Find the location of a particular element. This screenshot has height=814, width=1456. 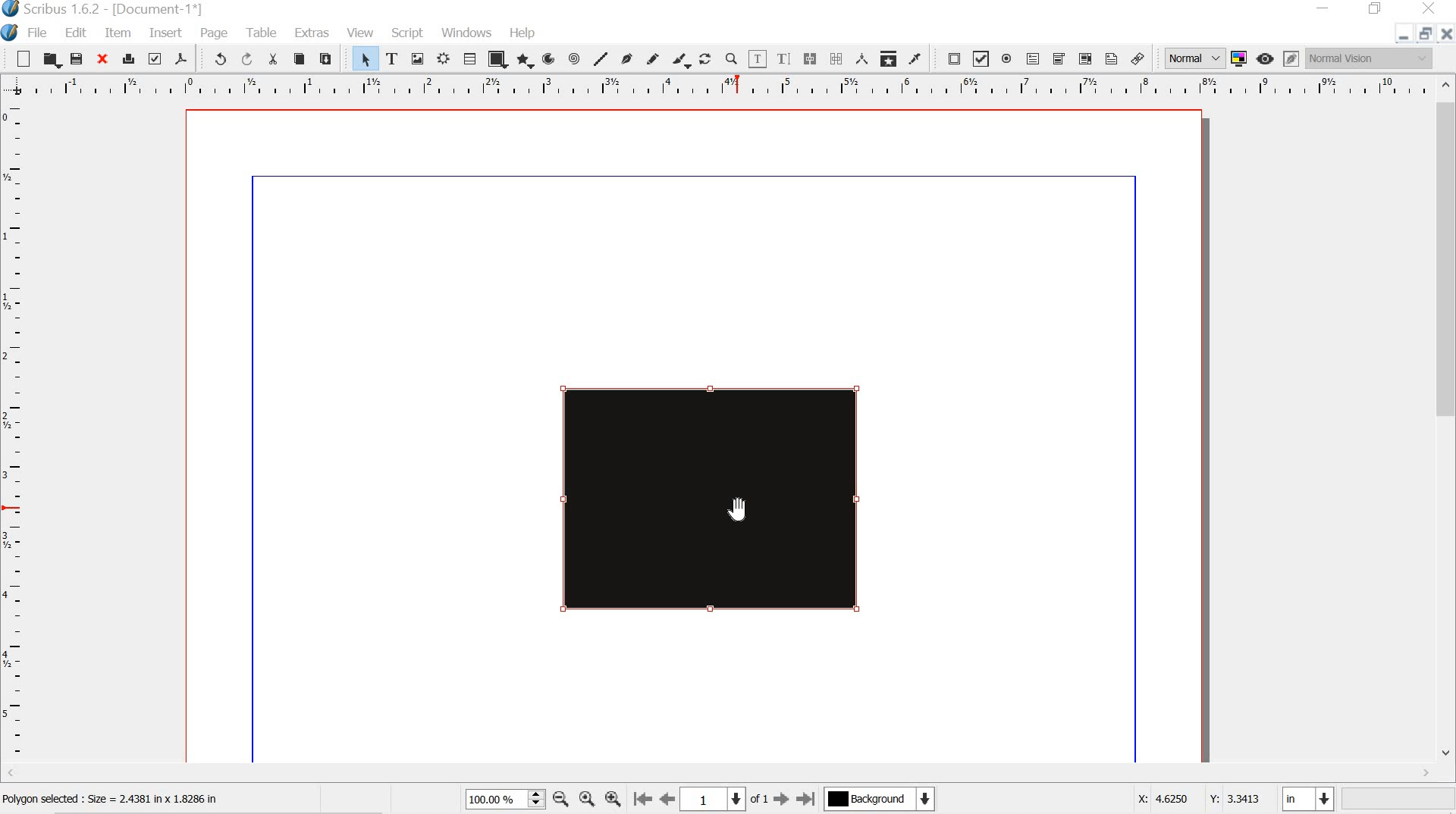

restore down is located at coordinates (1423, 33).